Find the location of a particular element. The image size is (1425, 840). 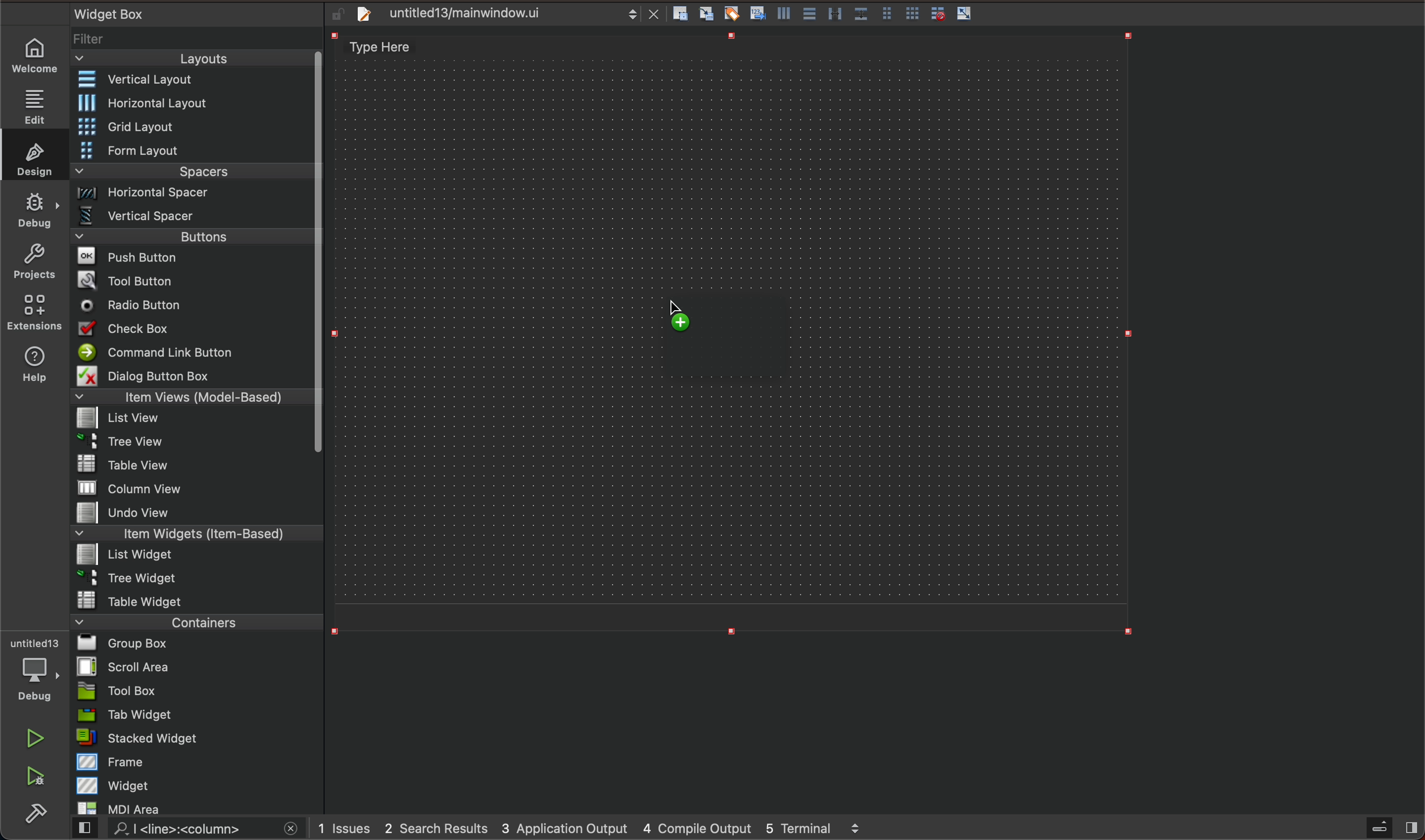

tab widget is located at coordinates (194, 715).